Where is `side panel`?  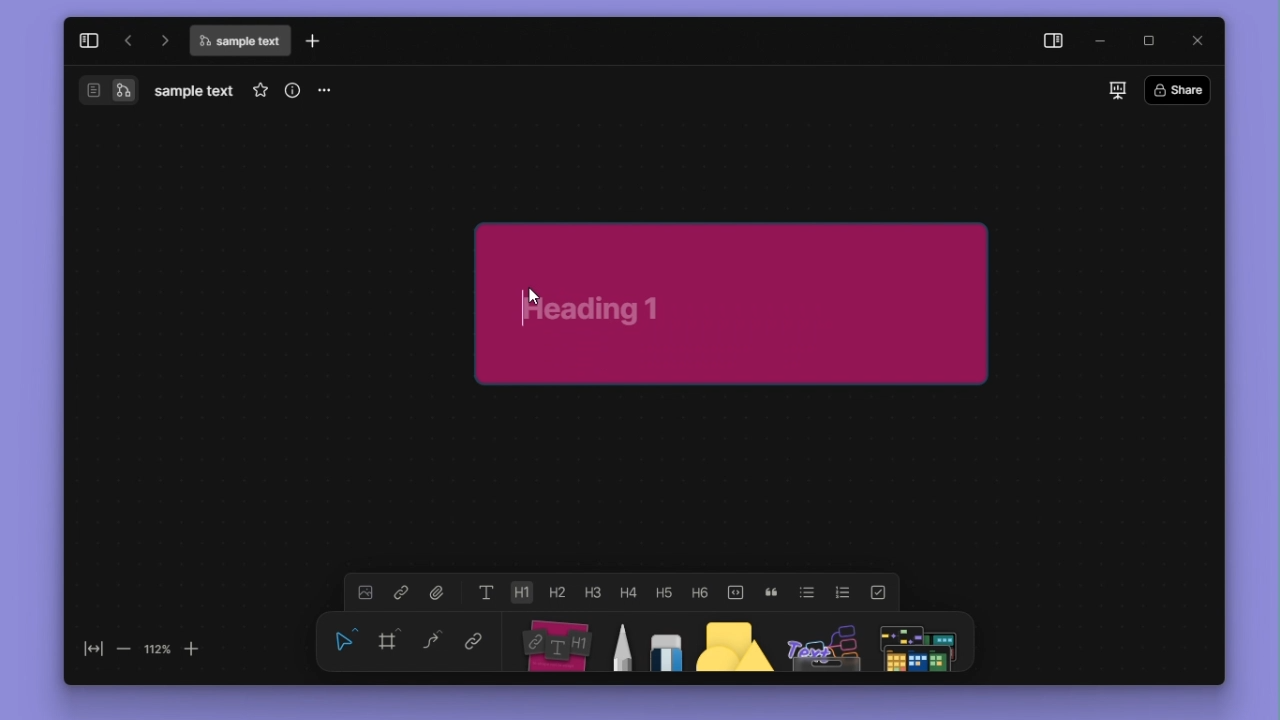
side panel is located at coordinates (1054, 42).